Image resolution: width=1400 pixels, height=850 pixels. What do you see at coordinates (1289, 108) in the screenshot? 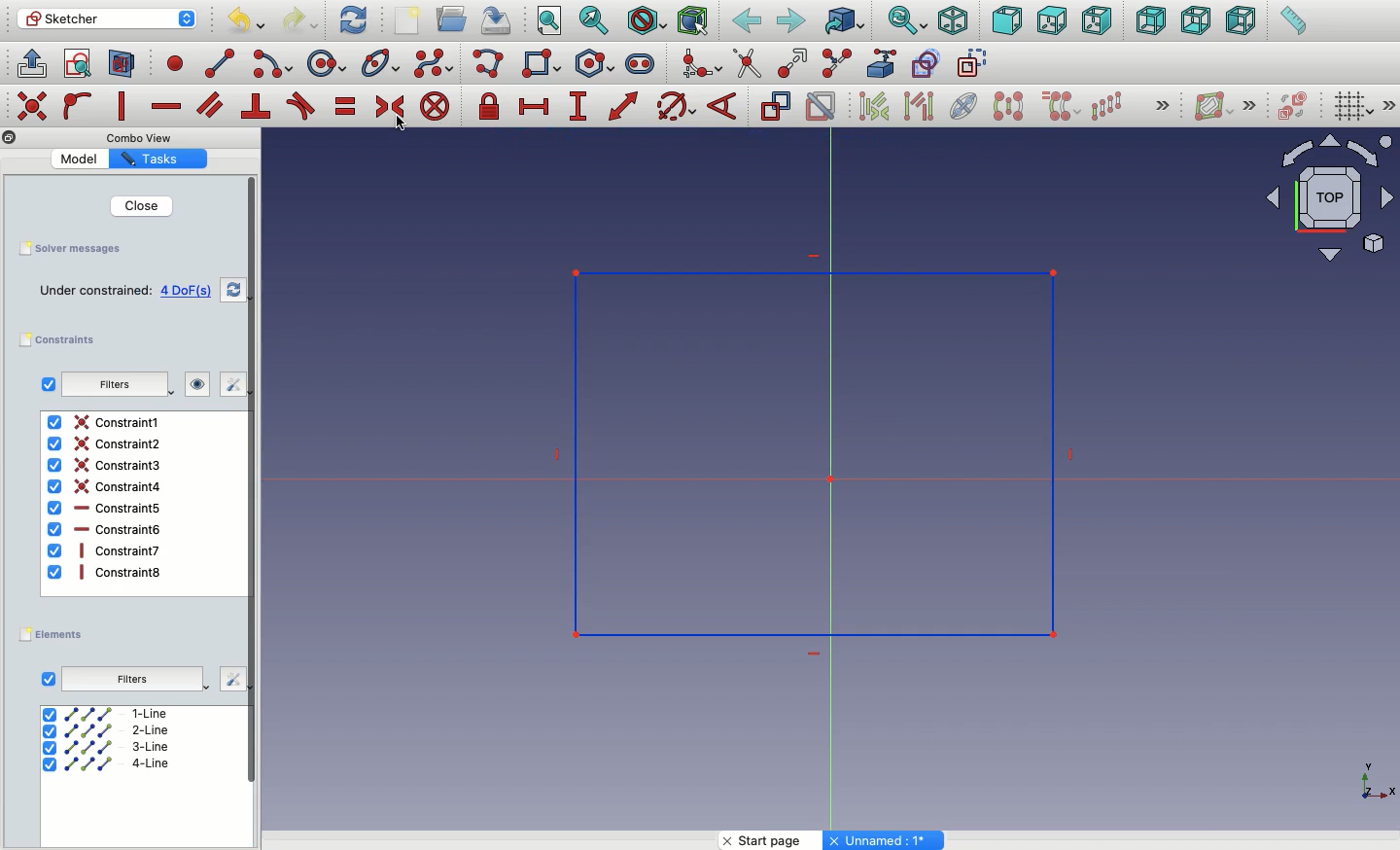
I see `Switch virtual place` at bounding box center [1289, 108].